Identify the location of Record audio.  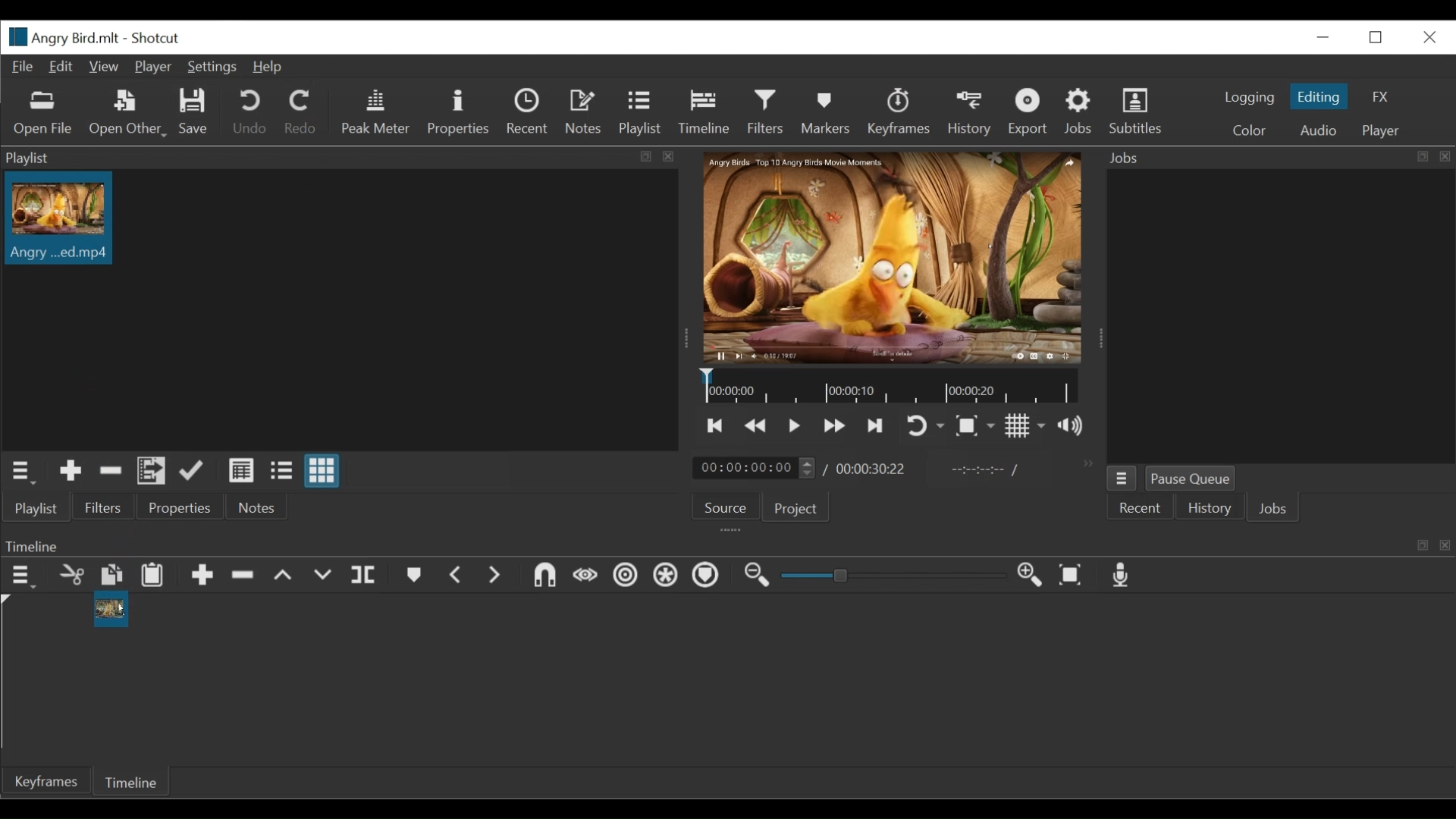
(1122, 576).